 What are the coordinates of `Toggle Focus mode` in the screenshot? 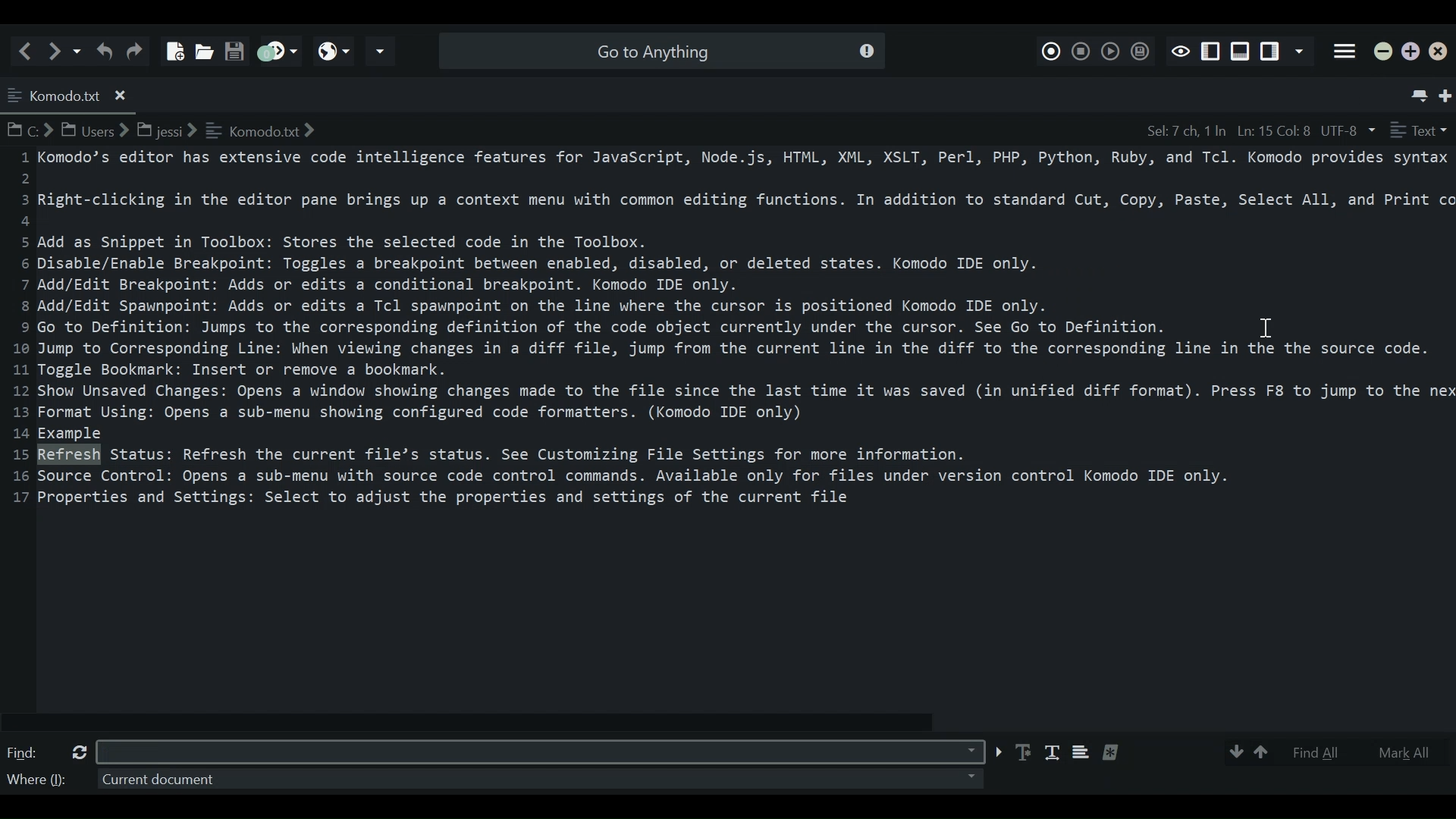 It's located at (1180, 50).